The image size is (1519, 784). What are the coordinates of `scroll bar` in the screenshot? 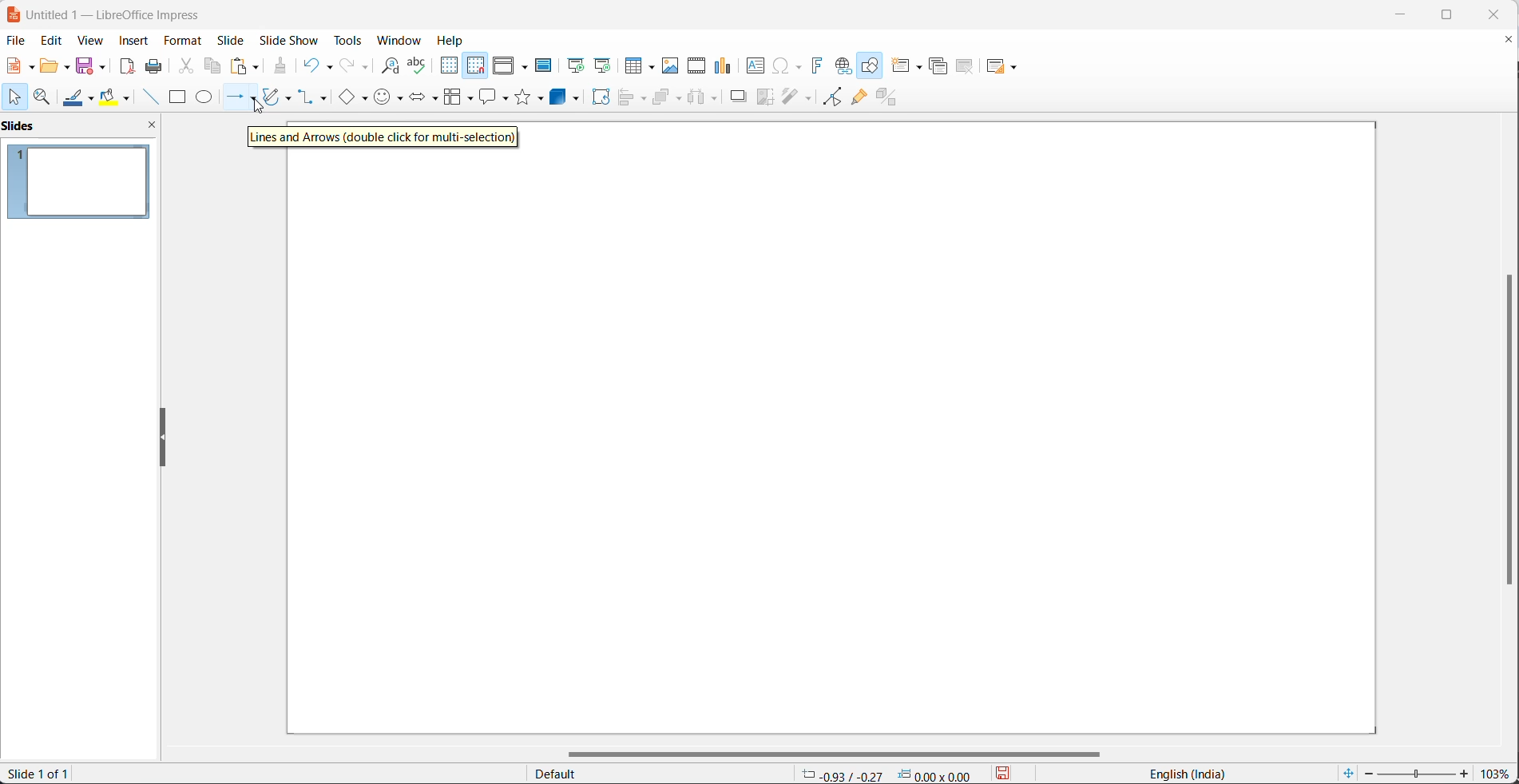 It's located at (846, 750).